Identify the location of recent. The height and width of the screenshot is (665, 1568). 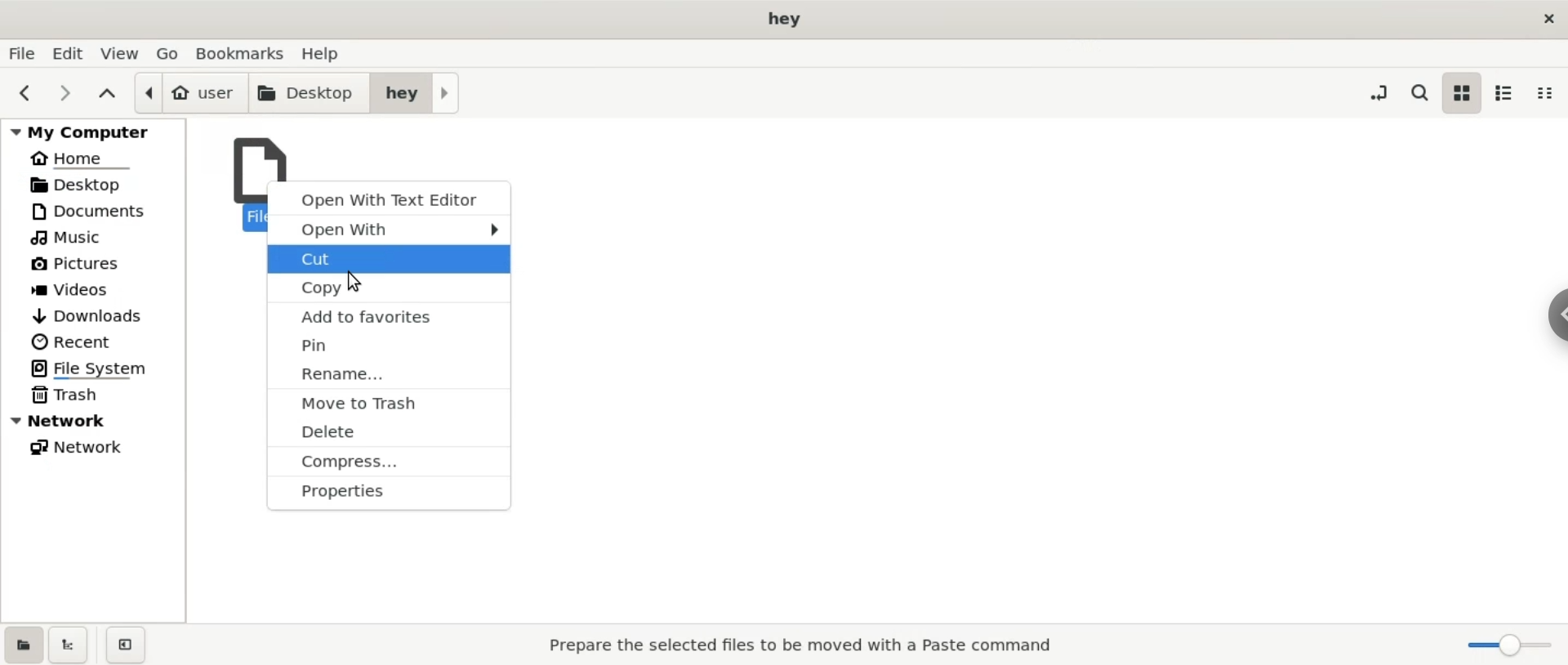
(100, 340).